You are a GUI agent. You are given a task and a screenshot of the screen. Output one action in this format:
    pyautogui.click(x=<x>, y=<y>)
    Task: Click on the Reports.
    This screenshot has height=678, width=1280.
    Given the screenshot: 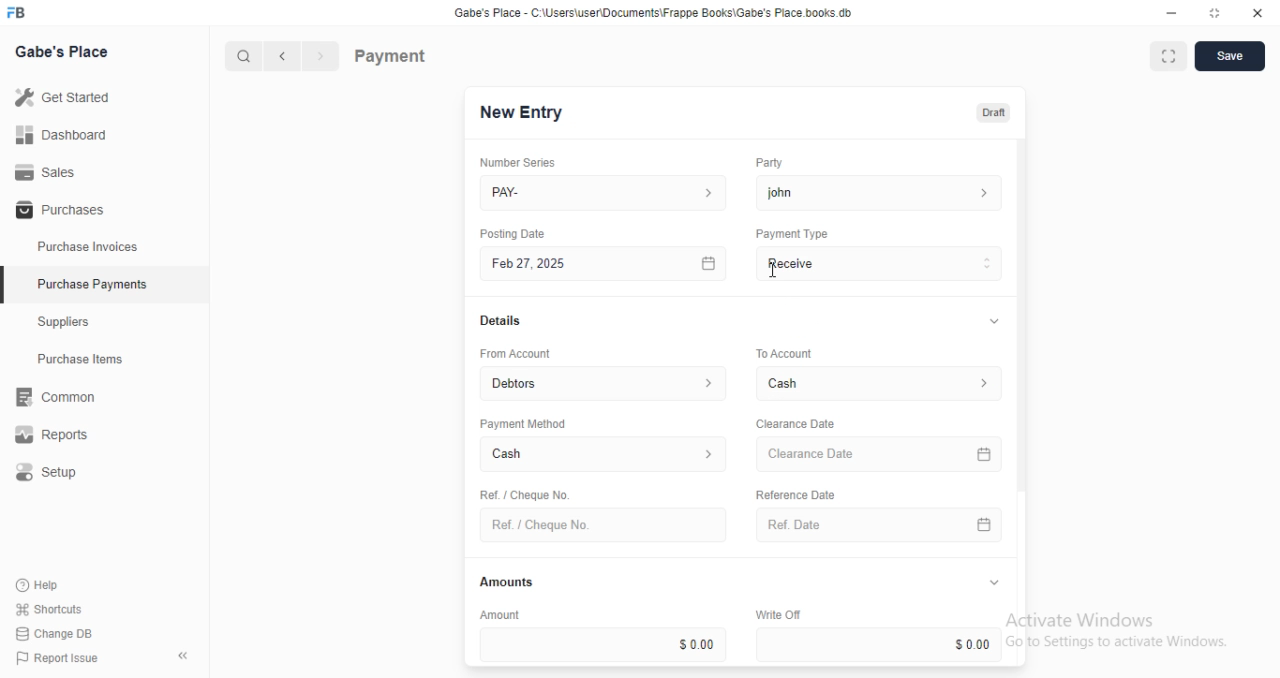 What is the action you would take?
    pyautogui.click(x=59, y=435)
    